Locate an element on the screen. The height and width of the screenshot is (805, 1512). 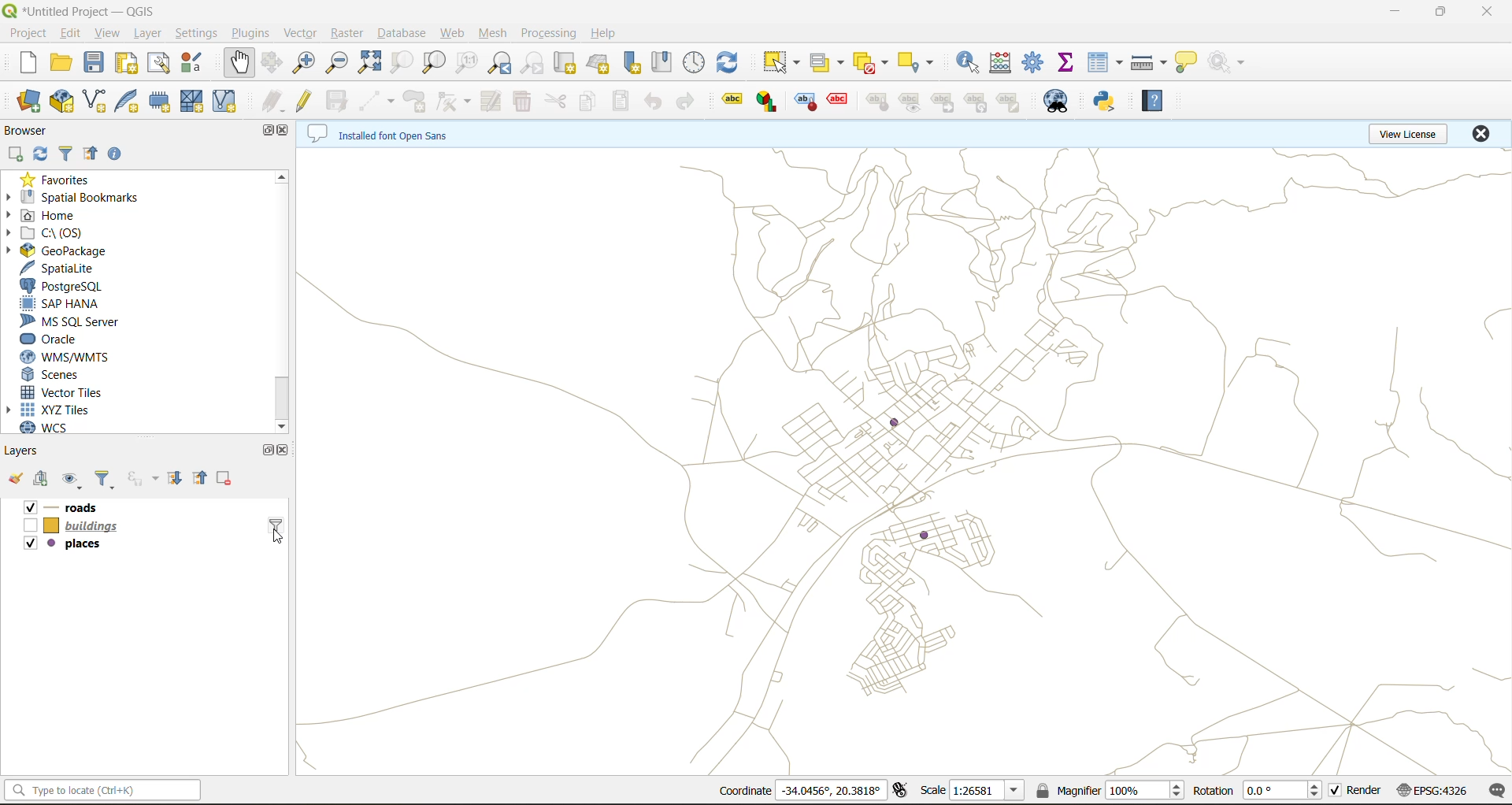
remove is located at coordinates (225, 477).